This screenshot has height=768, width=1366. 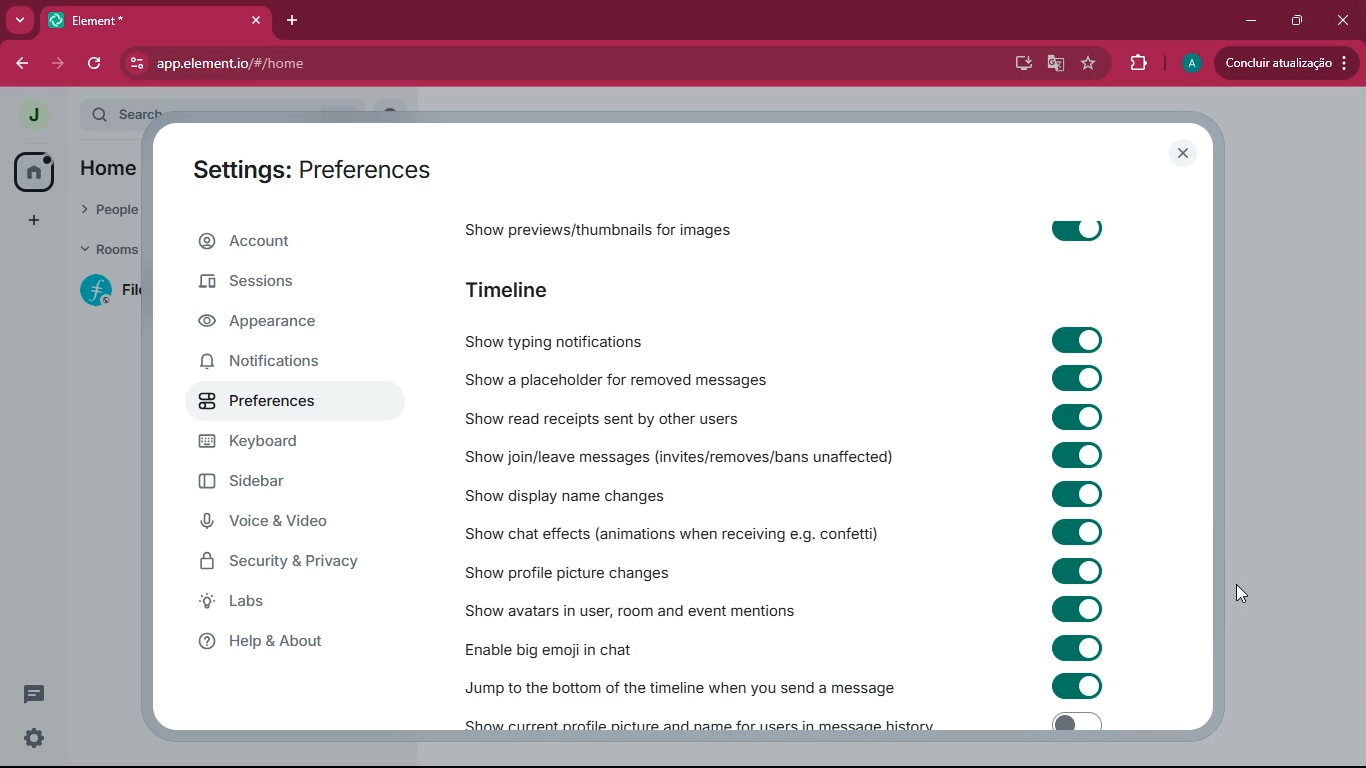 I want to click on settings, so click(x=37, y=739).